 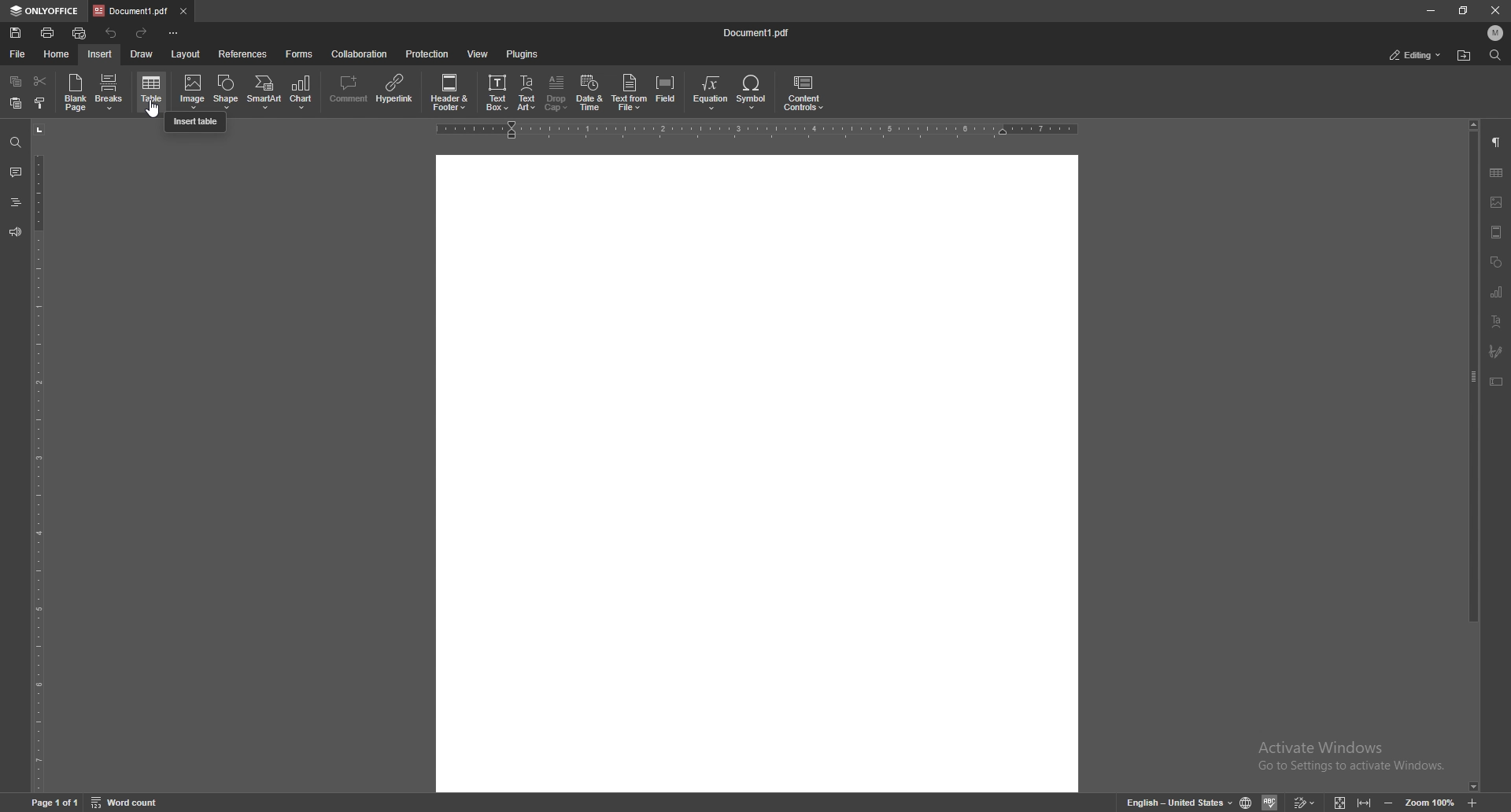 What do you see at coordinates (184, 12) in the screenshot?
I see `close tab` at bounding box center [184, 12].